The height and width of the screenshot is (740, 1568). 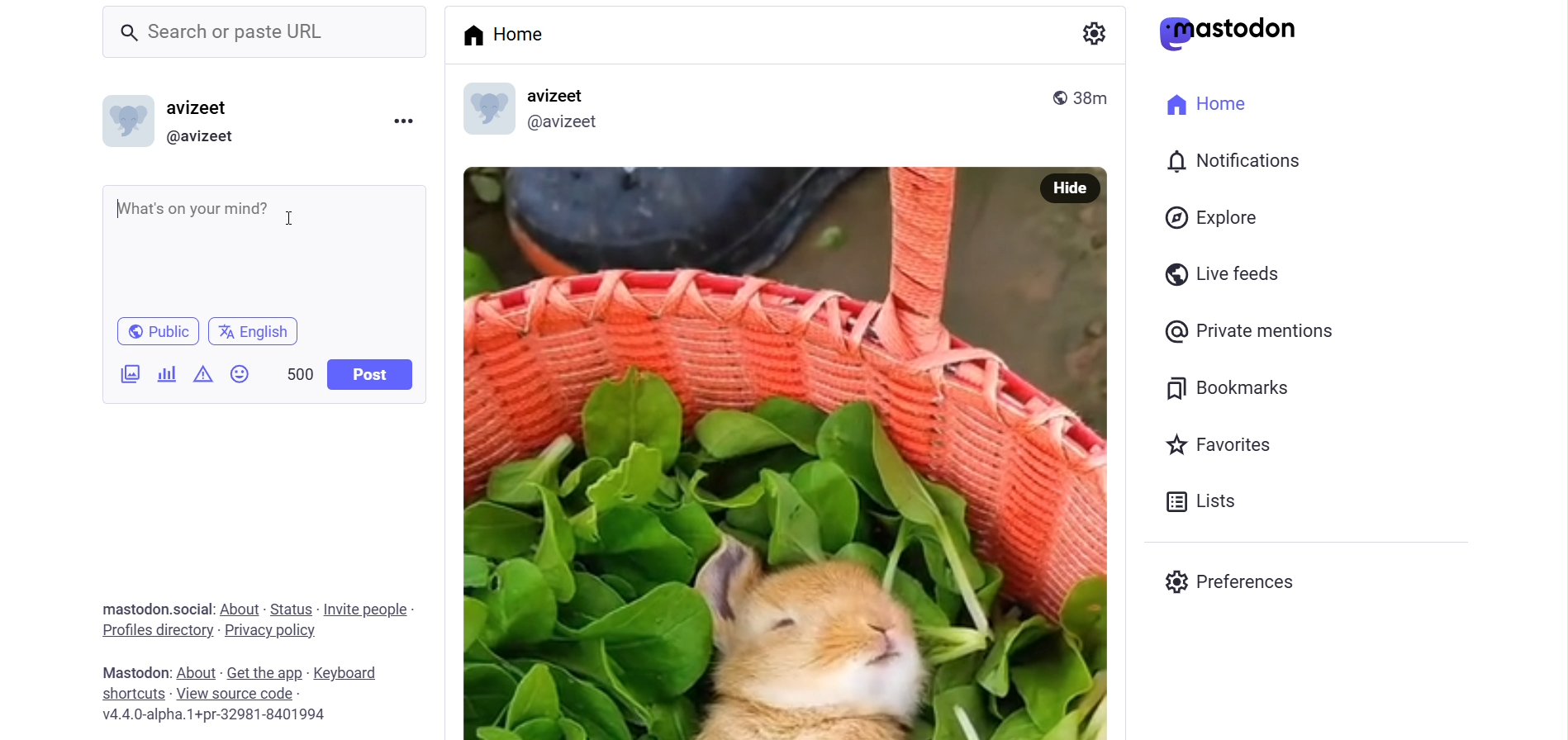 What do you see at coordinates (133, 673) in the screenshot?
I see `Mastodon` at bounding box center [133, 673].